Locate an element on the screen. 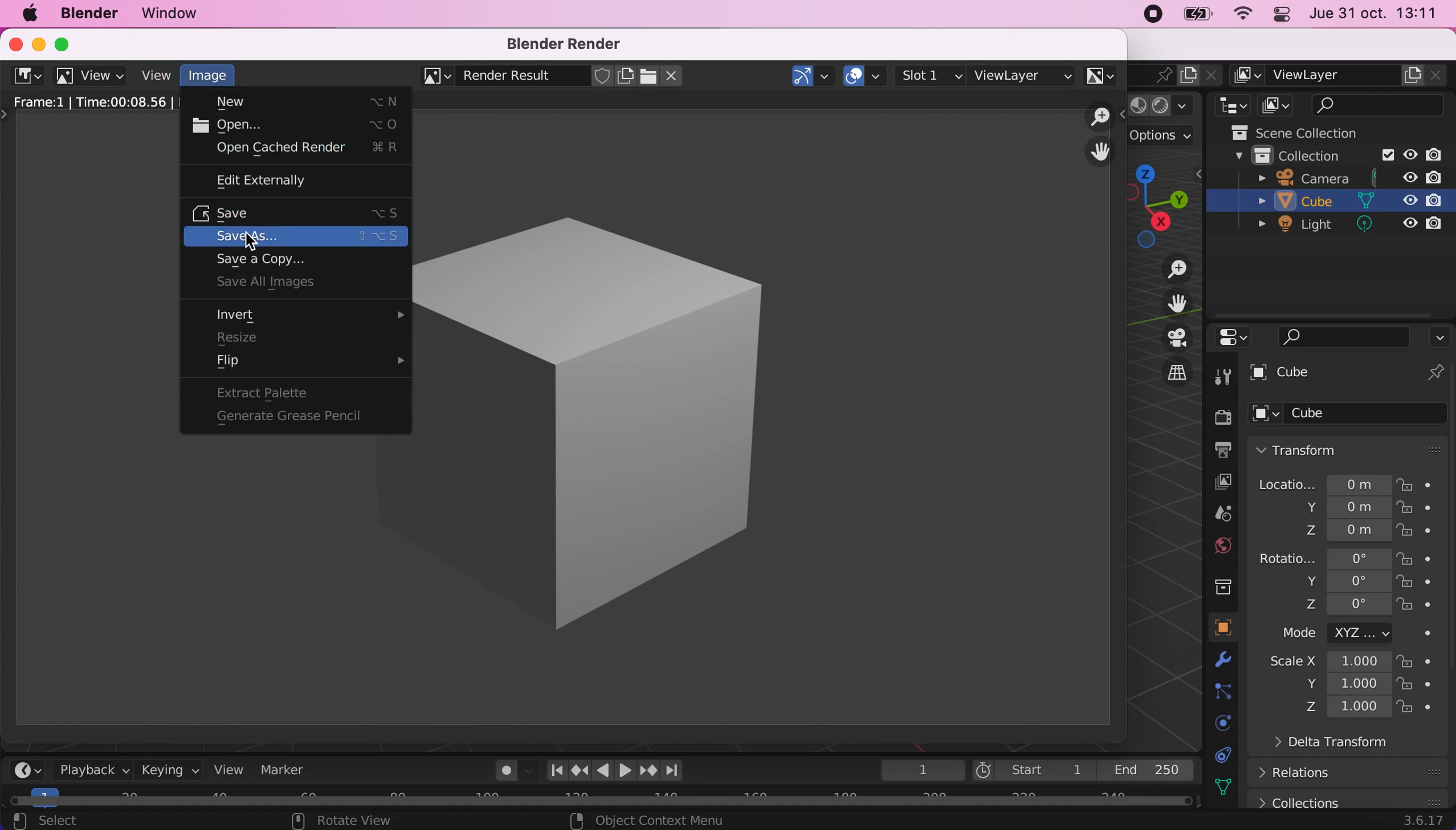  save a copy is located at coordinates (286, 260).